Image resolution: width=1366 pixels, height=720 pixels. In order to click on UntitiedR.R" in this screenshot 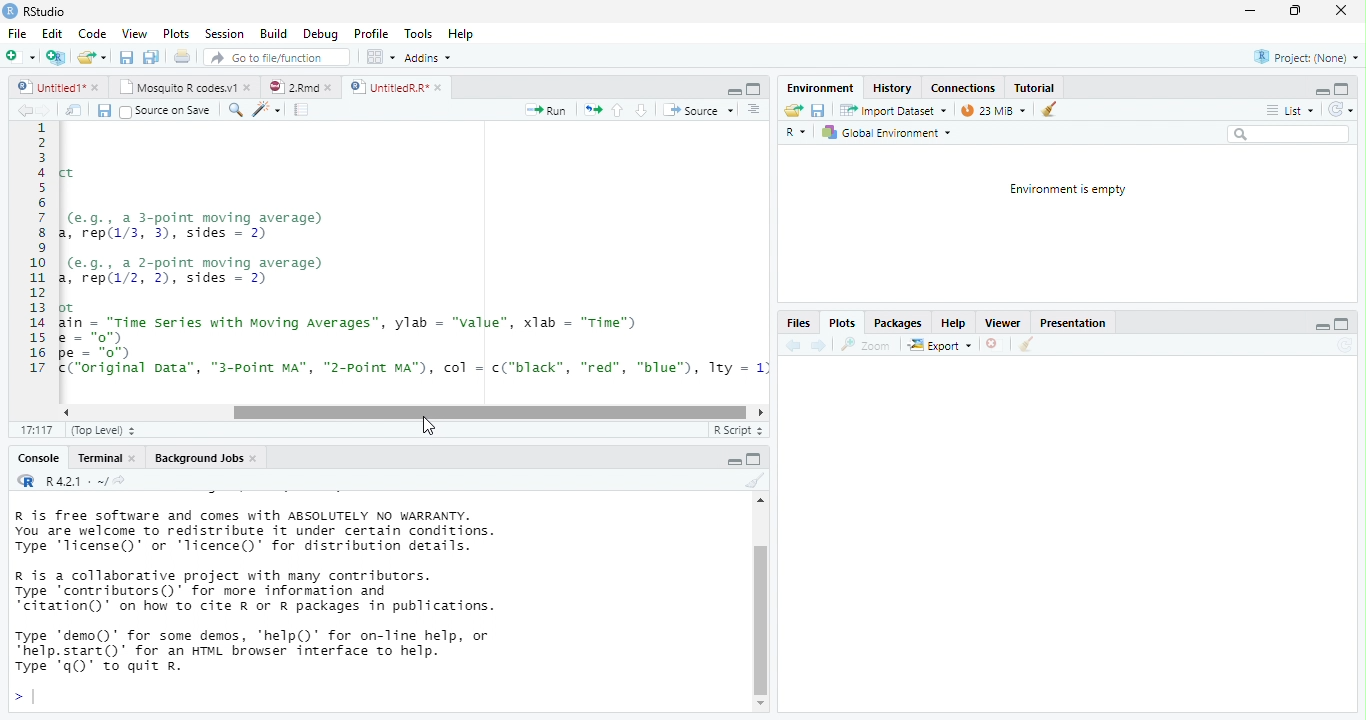, I will do `click(387, 87)`.